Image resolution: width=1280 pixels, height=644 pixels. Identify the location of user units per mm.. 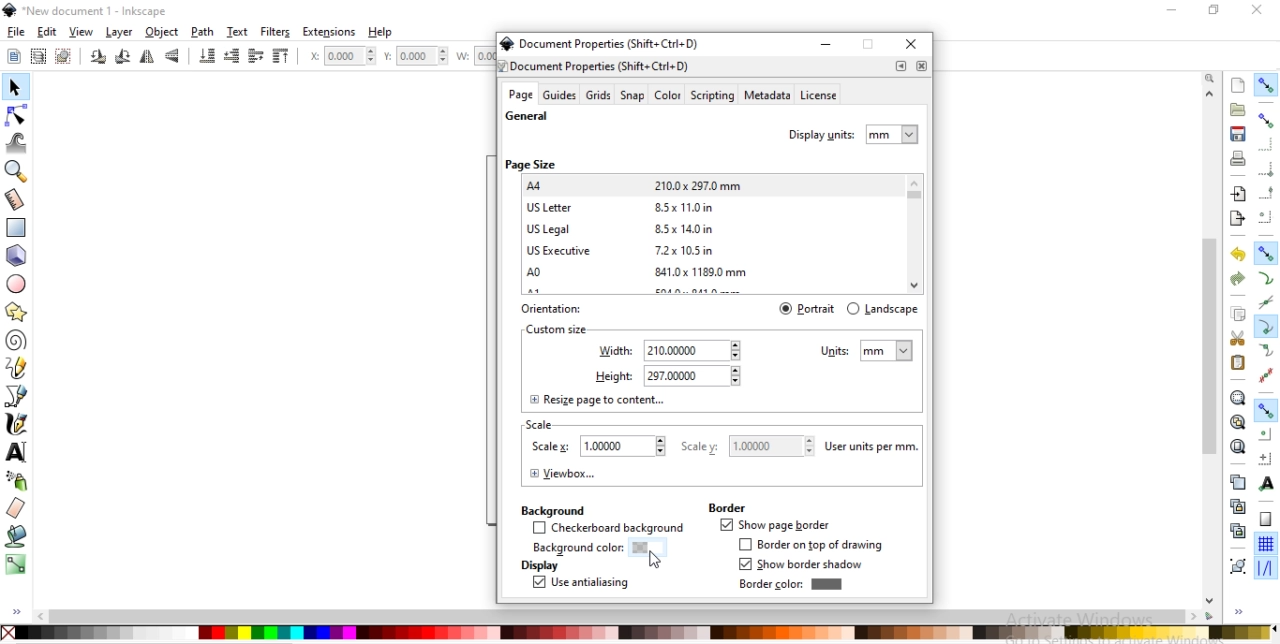
(877, 447).